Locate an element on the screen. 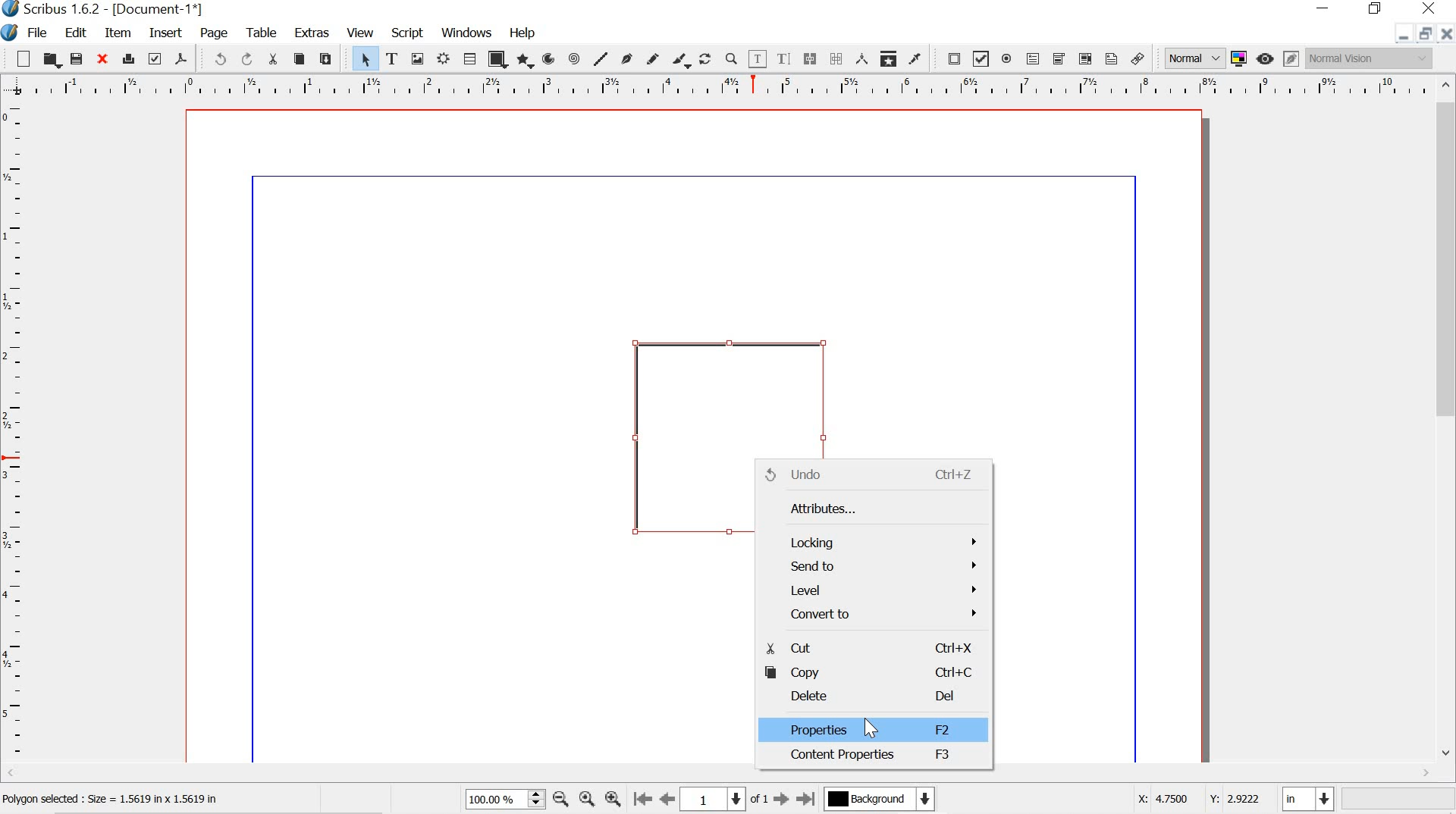  page is located at coordinates (218, 33).